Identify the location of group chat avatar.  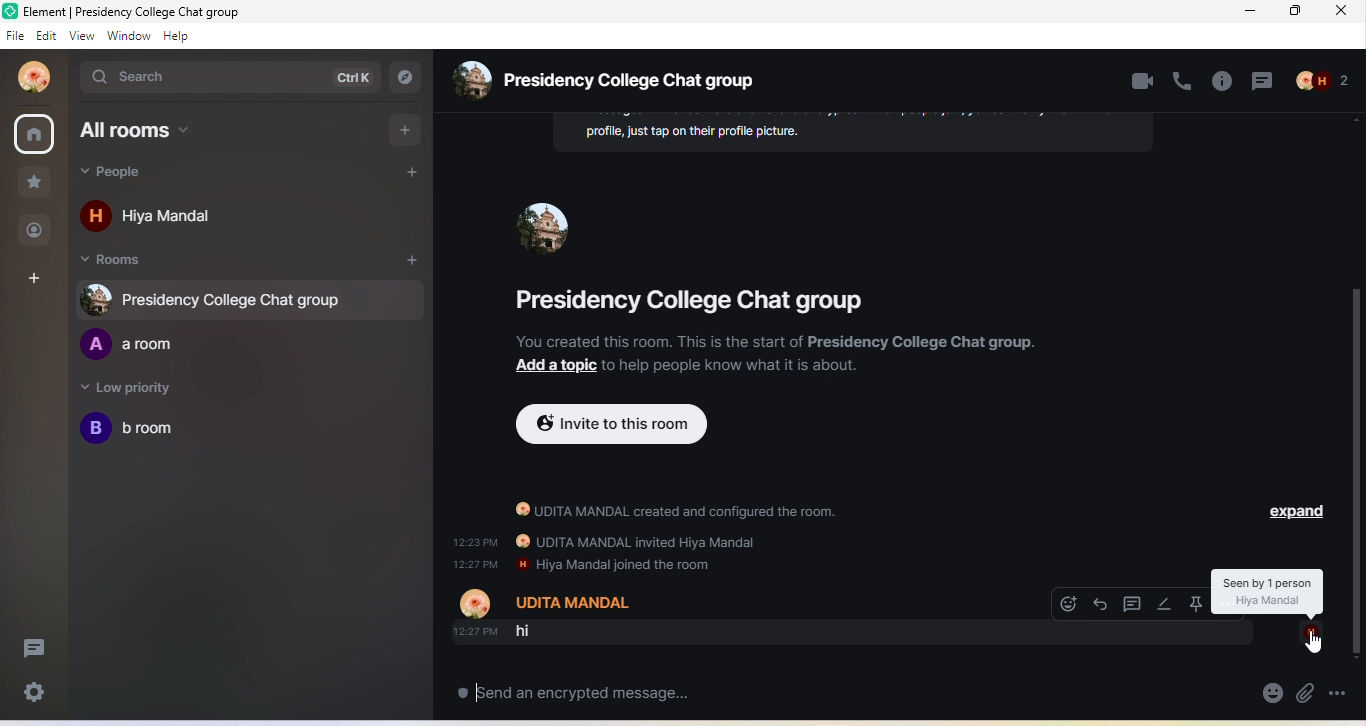
(545, 230).